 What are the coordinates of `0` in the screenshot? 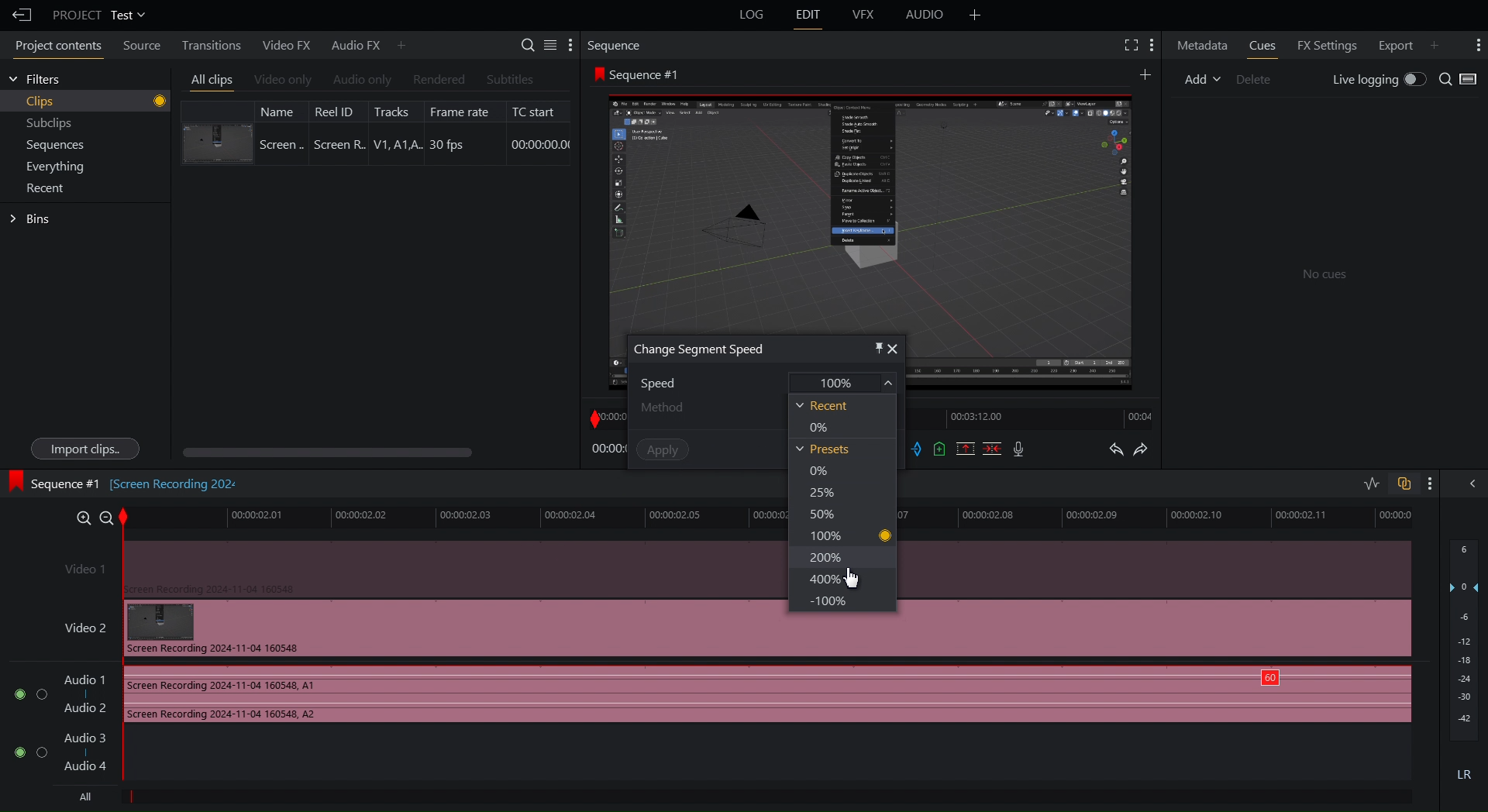 It's located at (819, 472).